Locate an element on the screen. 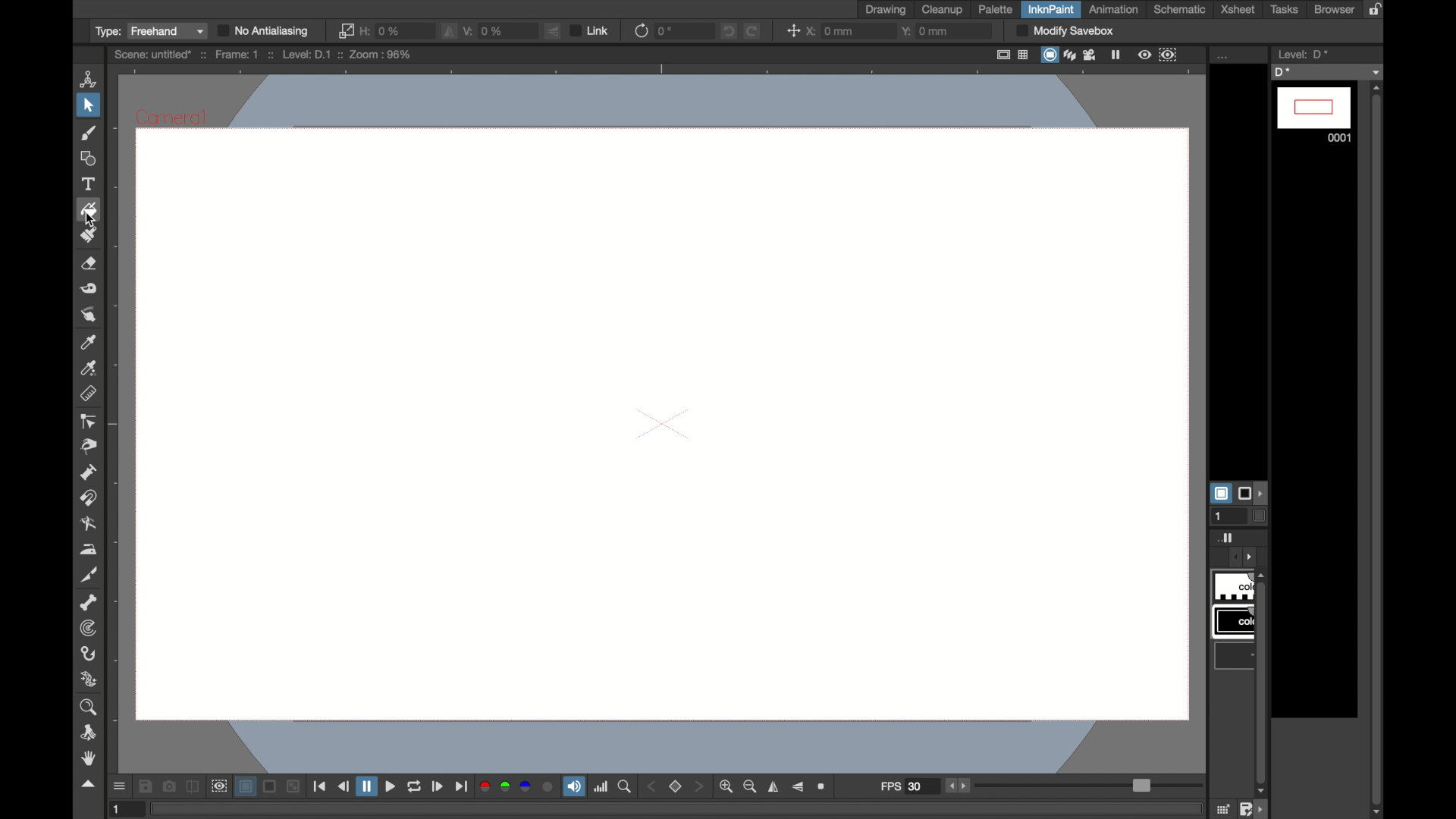  V: 0% is located at coordinates (485, 30).